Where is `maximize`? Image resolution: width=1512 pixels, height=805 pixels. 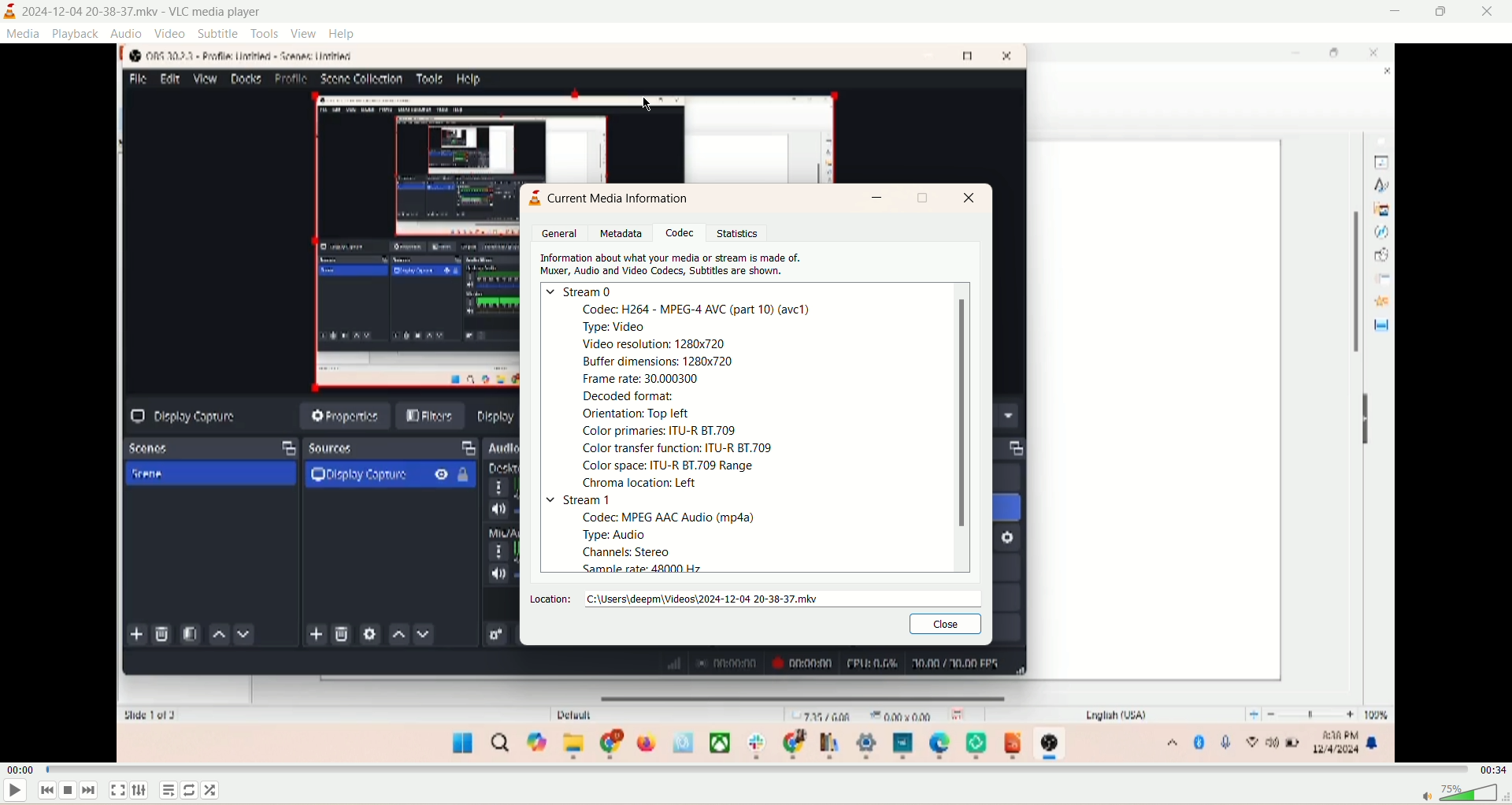
maximize is located at coordinates (923, 196).